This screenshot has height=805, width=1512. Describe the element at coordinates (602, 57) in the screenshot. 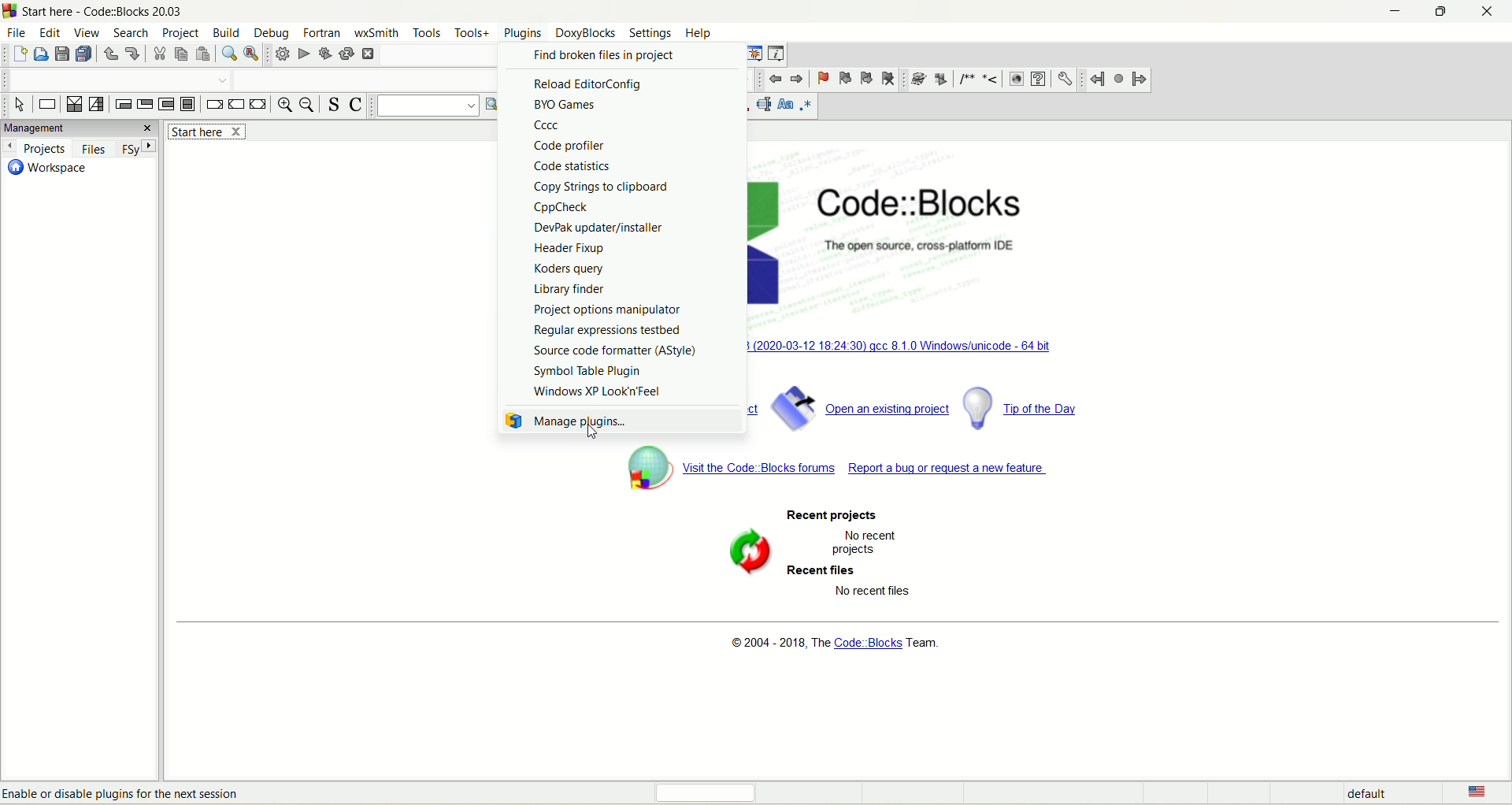

I see `find broken files in project` at that location.